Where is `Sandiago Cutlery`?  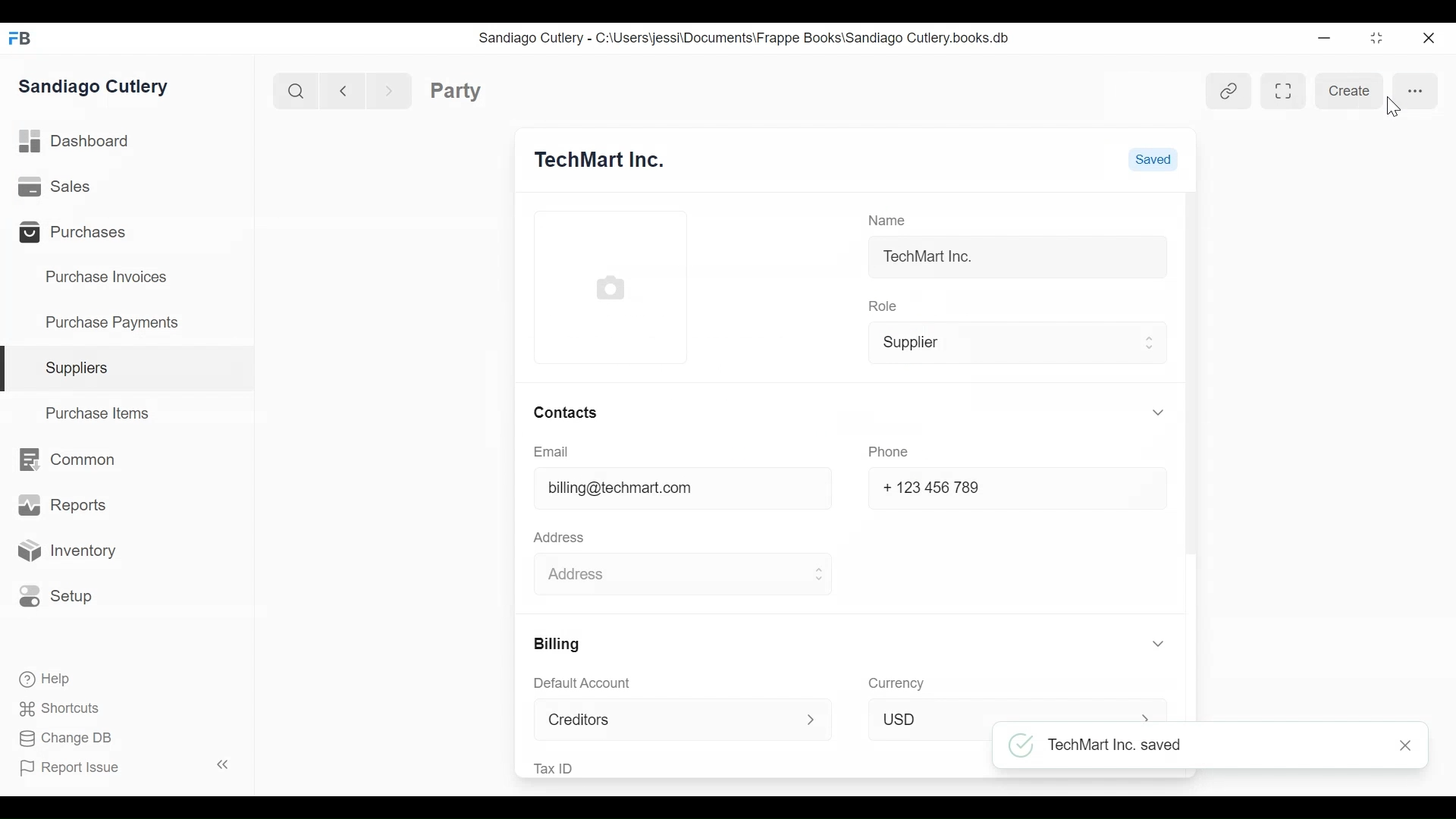 Sandiago Cutlery is located at coordinates (99, 88).